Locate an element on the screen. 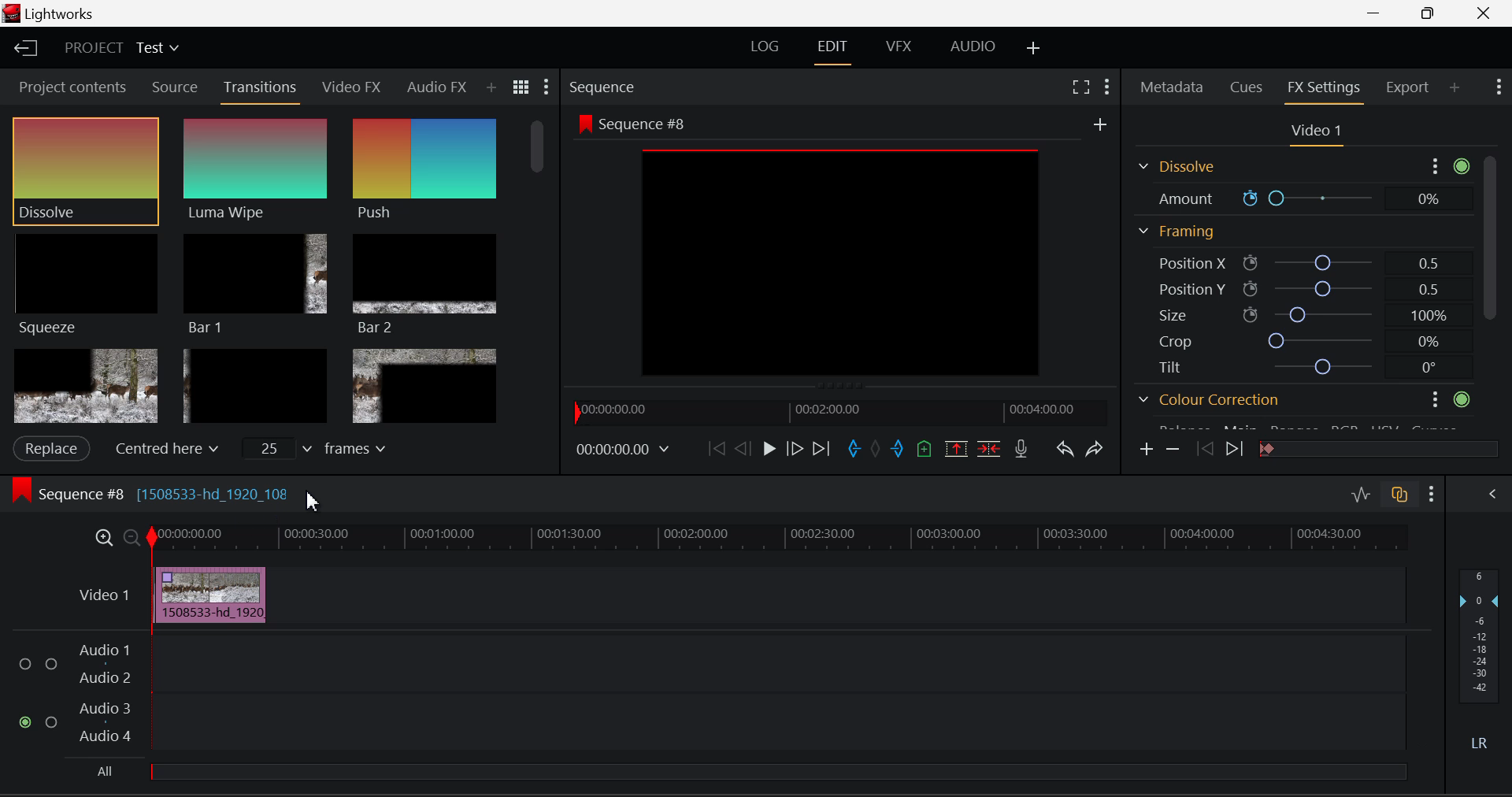 The width and height of the screenshot is (1512, 797). Export is located at coordinates (1408, 87).